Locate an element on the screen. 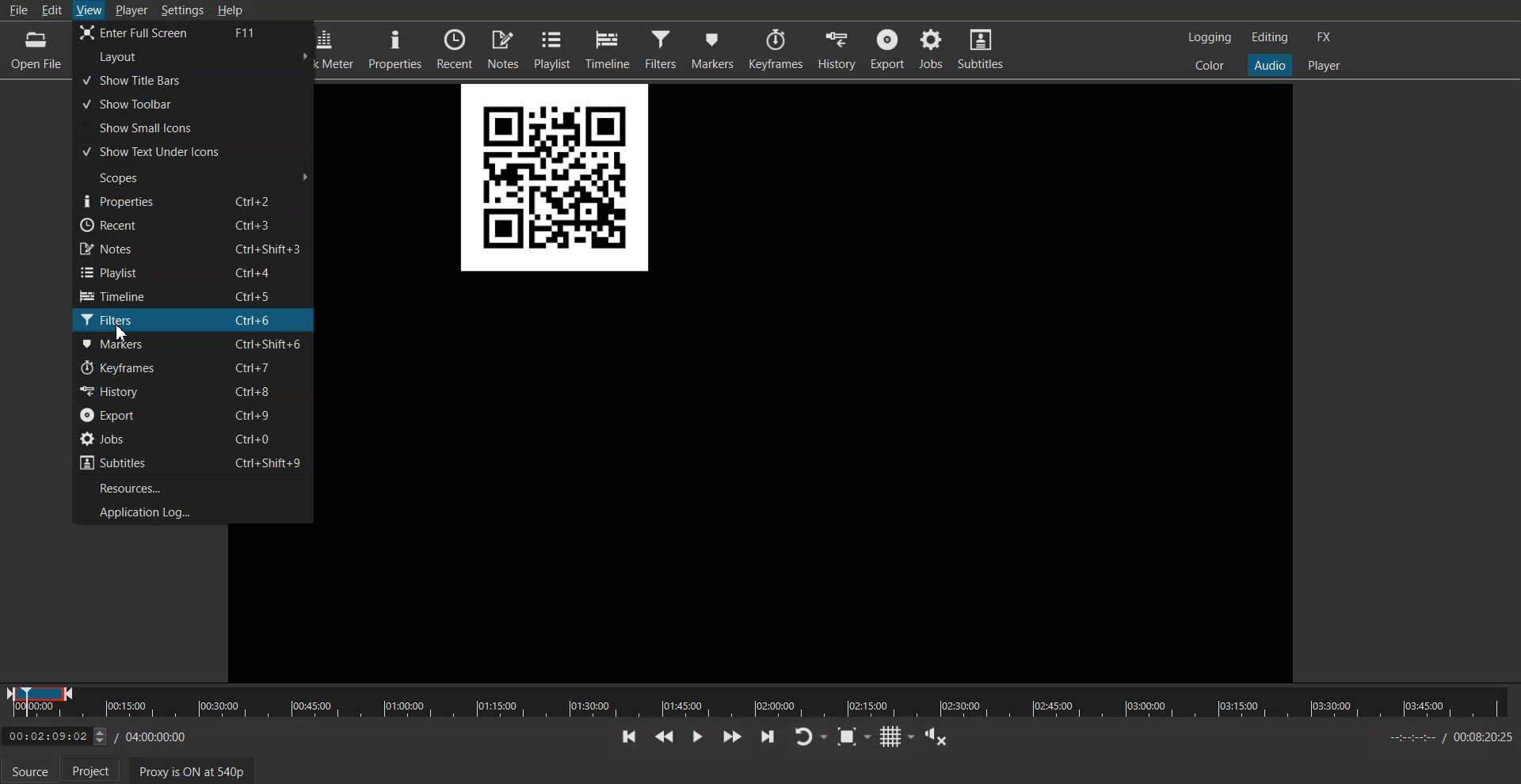 This screenshot has width=1521, height=784. Peak meter is located at coordinates (338, 49).